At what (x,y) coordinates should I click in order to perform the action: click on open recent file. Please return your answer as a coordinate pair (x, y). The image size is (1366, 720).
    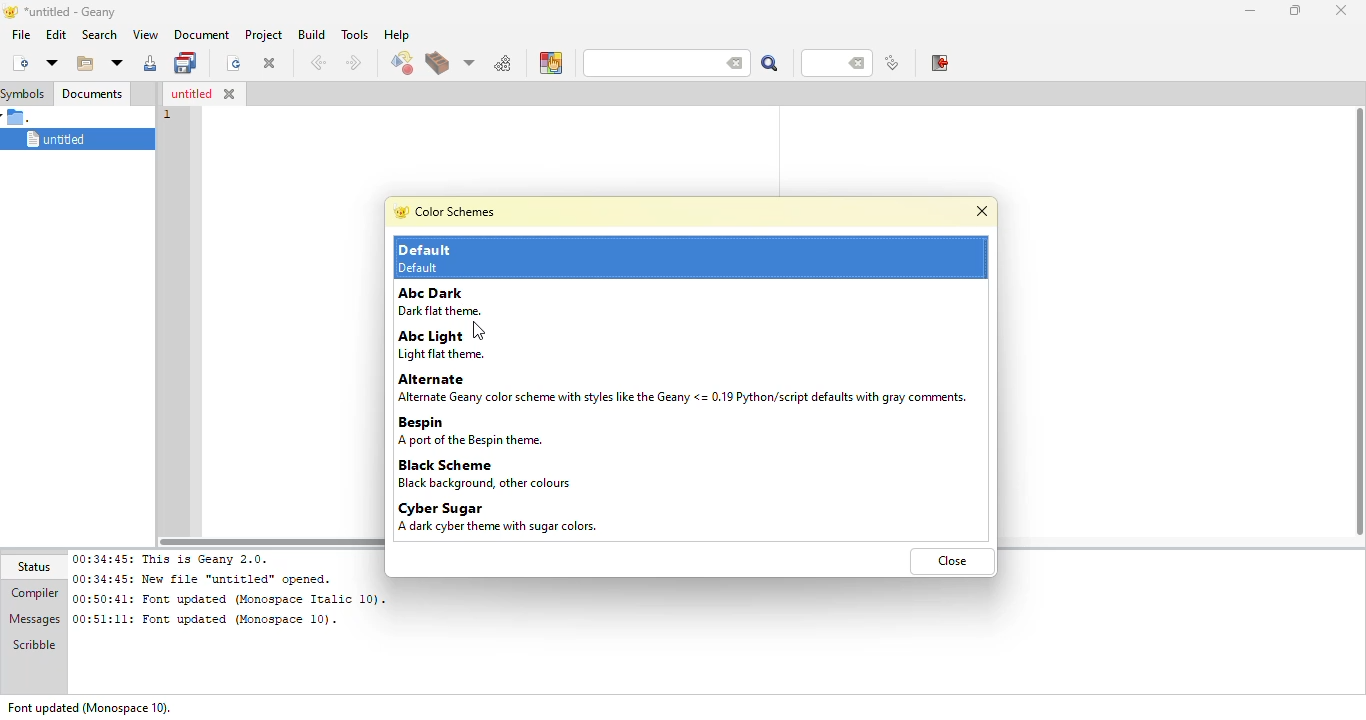
    Looking at the image, I should click on (115, 63).